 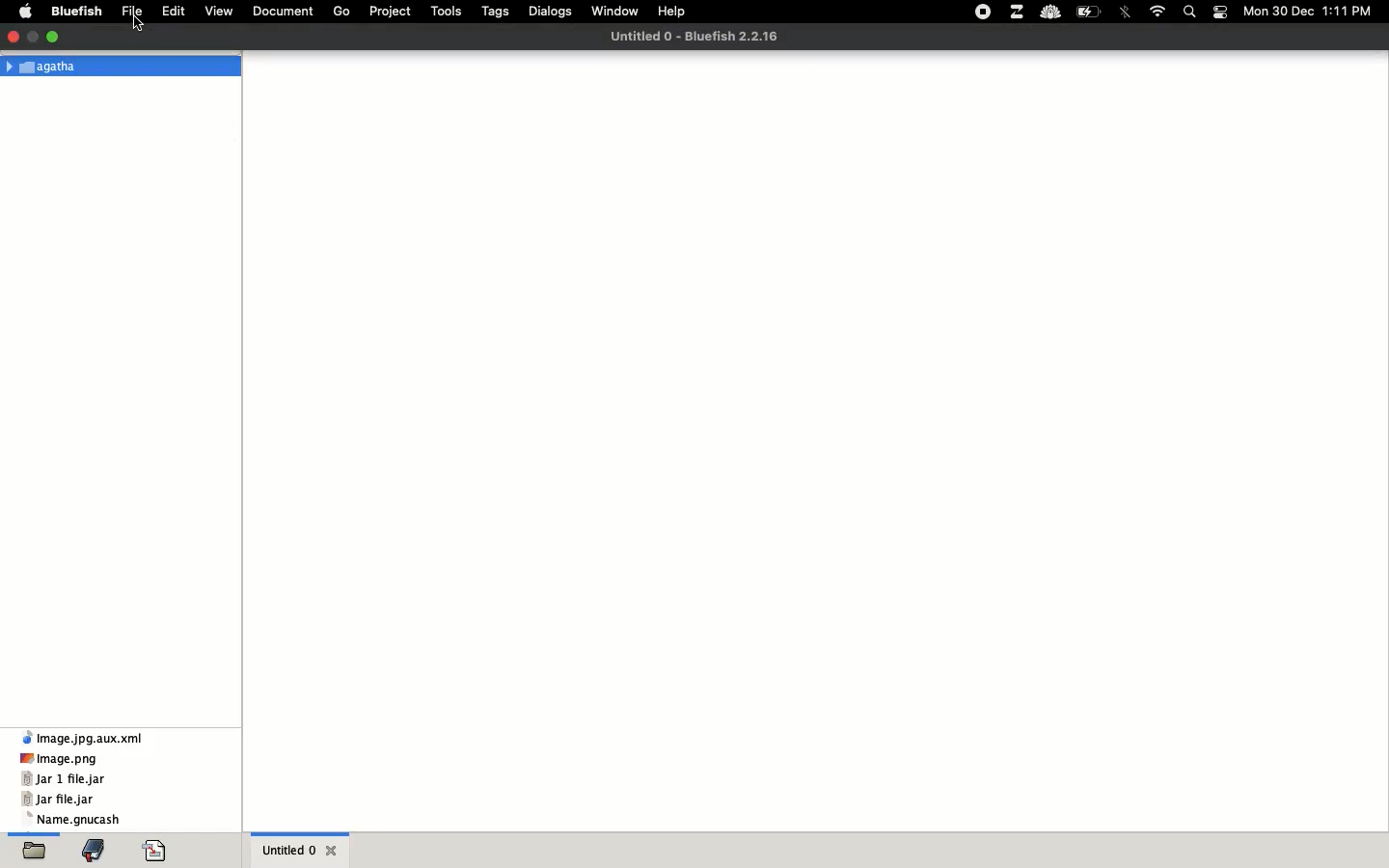 I want to click on help, so click(x=674, y=12).